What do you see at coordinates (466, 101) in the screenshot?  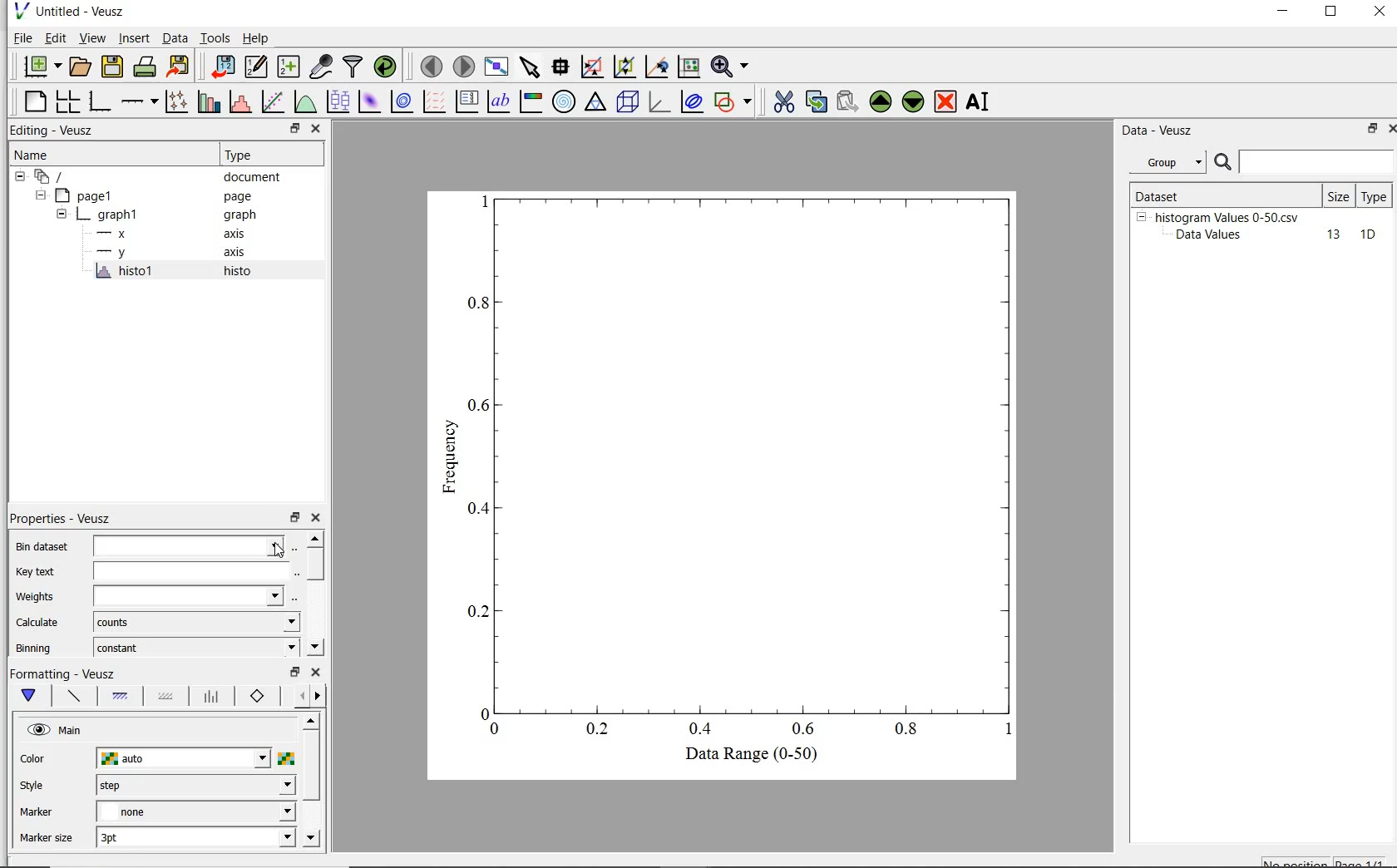 I see `plot key` at bounding box center [466, 101].